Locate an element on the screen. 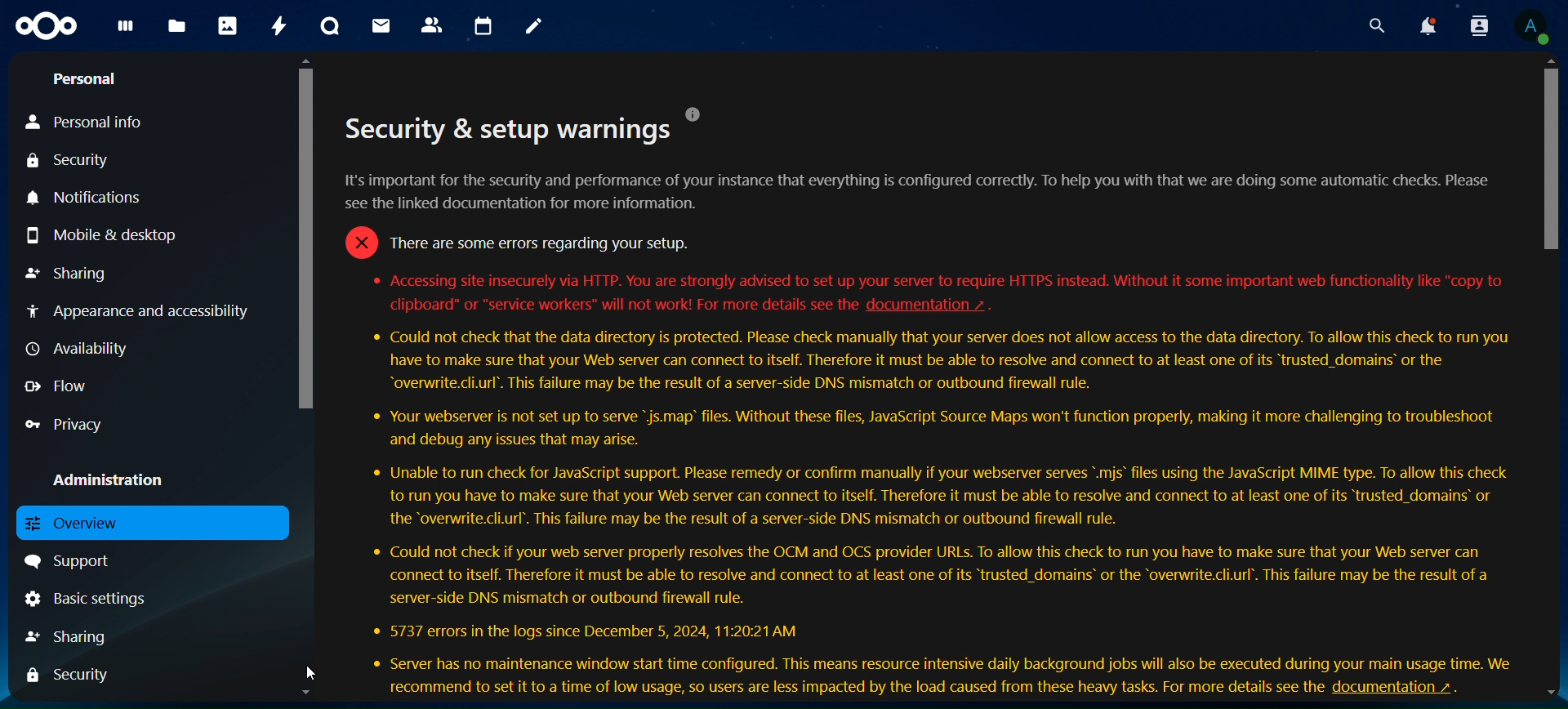  photos is located at coordinates (227, 25).